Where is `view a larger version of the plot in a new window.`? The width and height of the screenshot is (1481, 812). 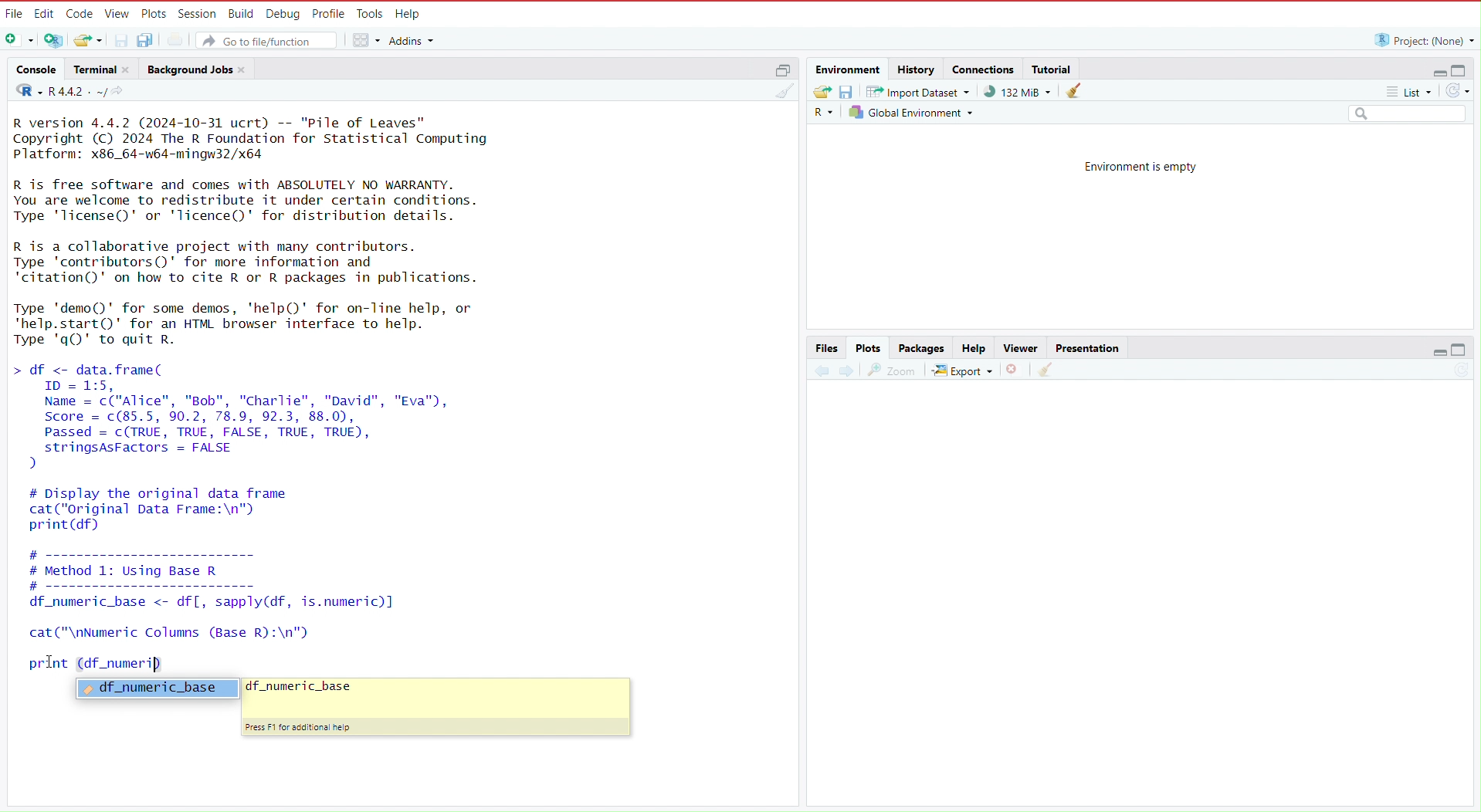
view a larger version of the plot in a new window. is located at coordinates (893, 370).